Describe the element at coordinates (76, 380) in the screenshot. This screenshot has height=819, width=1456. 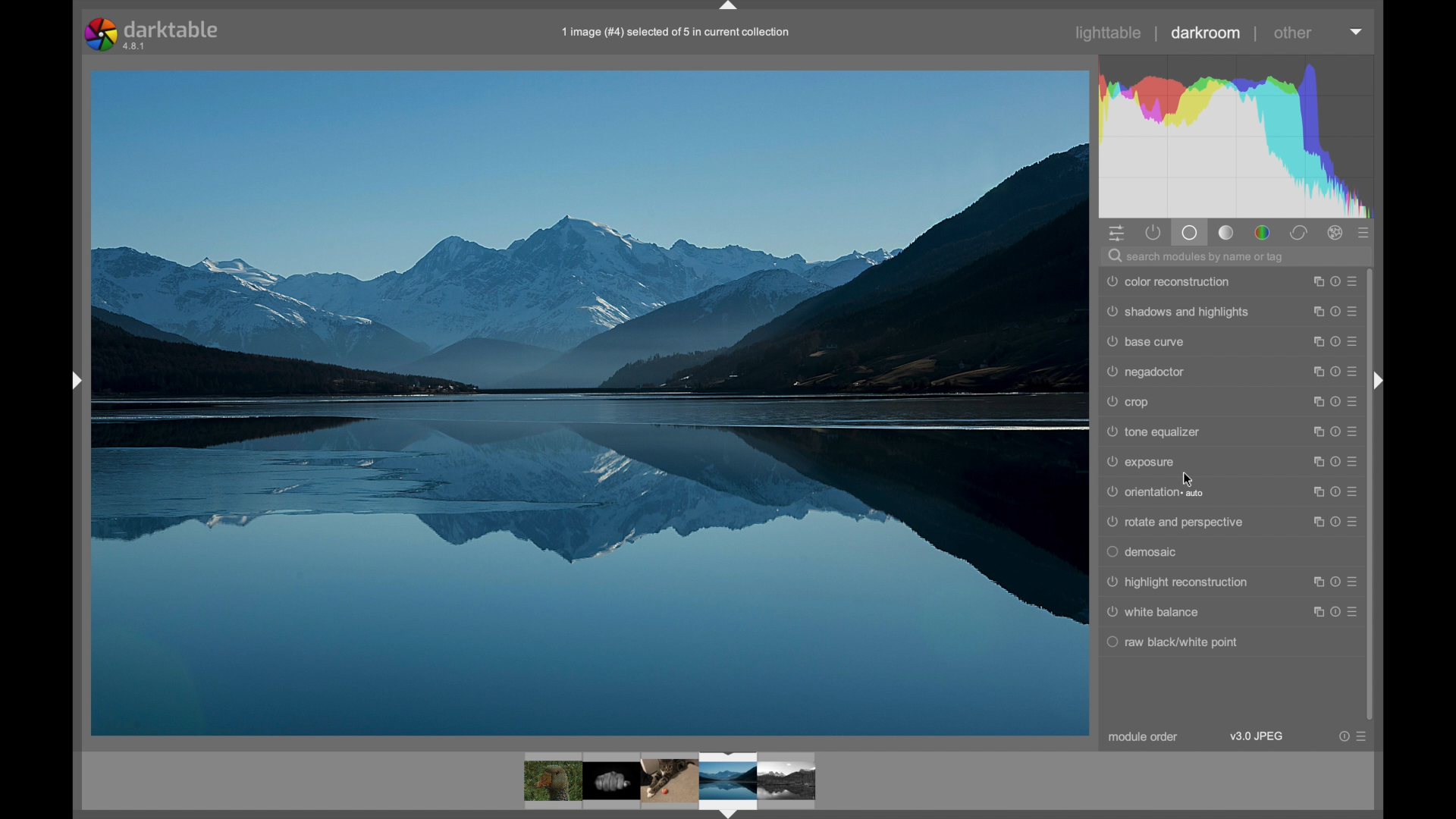
I see `drag handle` at that location.